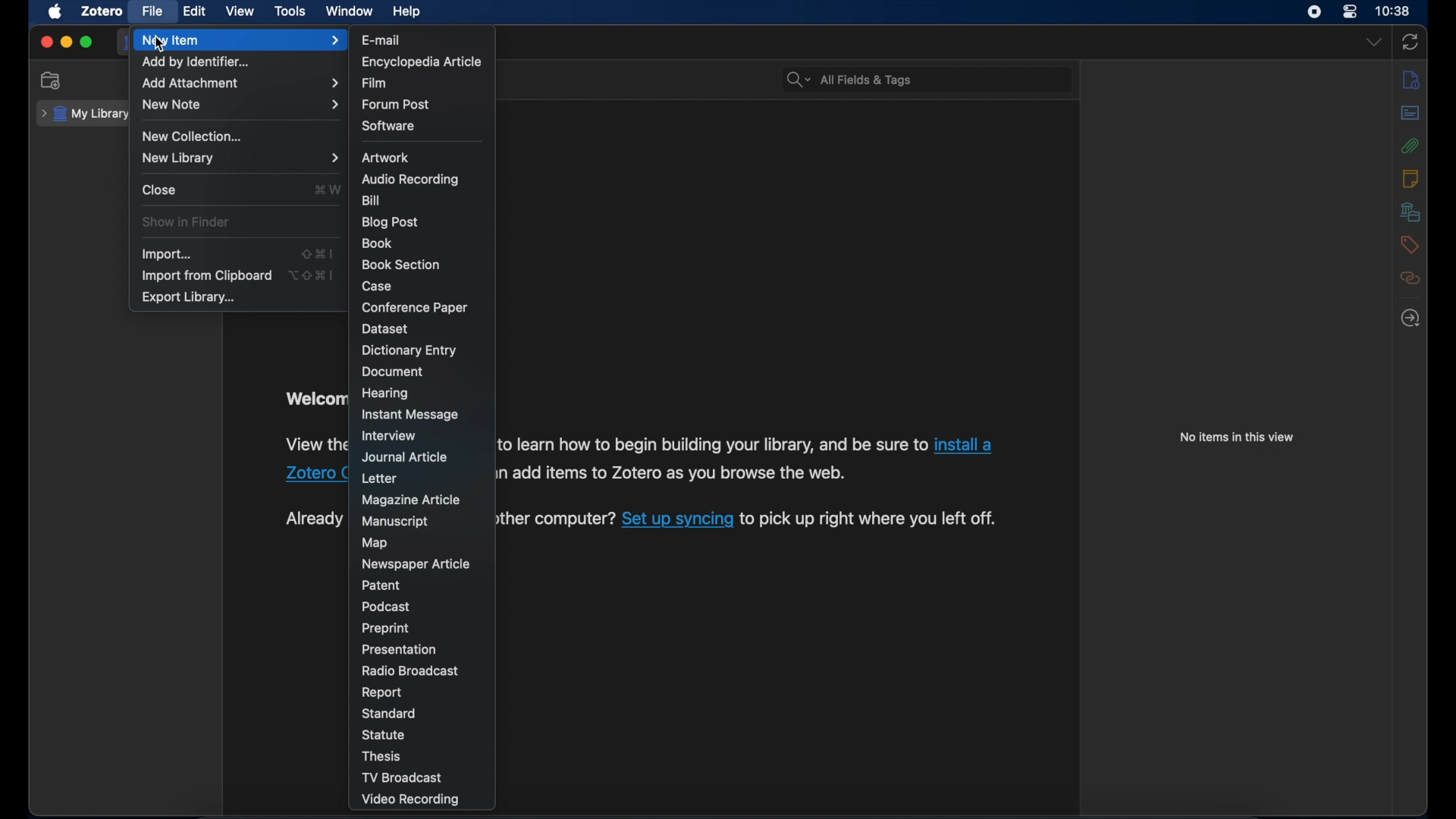  I want to click on book section, so click(402, 265).